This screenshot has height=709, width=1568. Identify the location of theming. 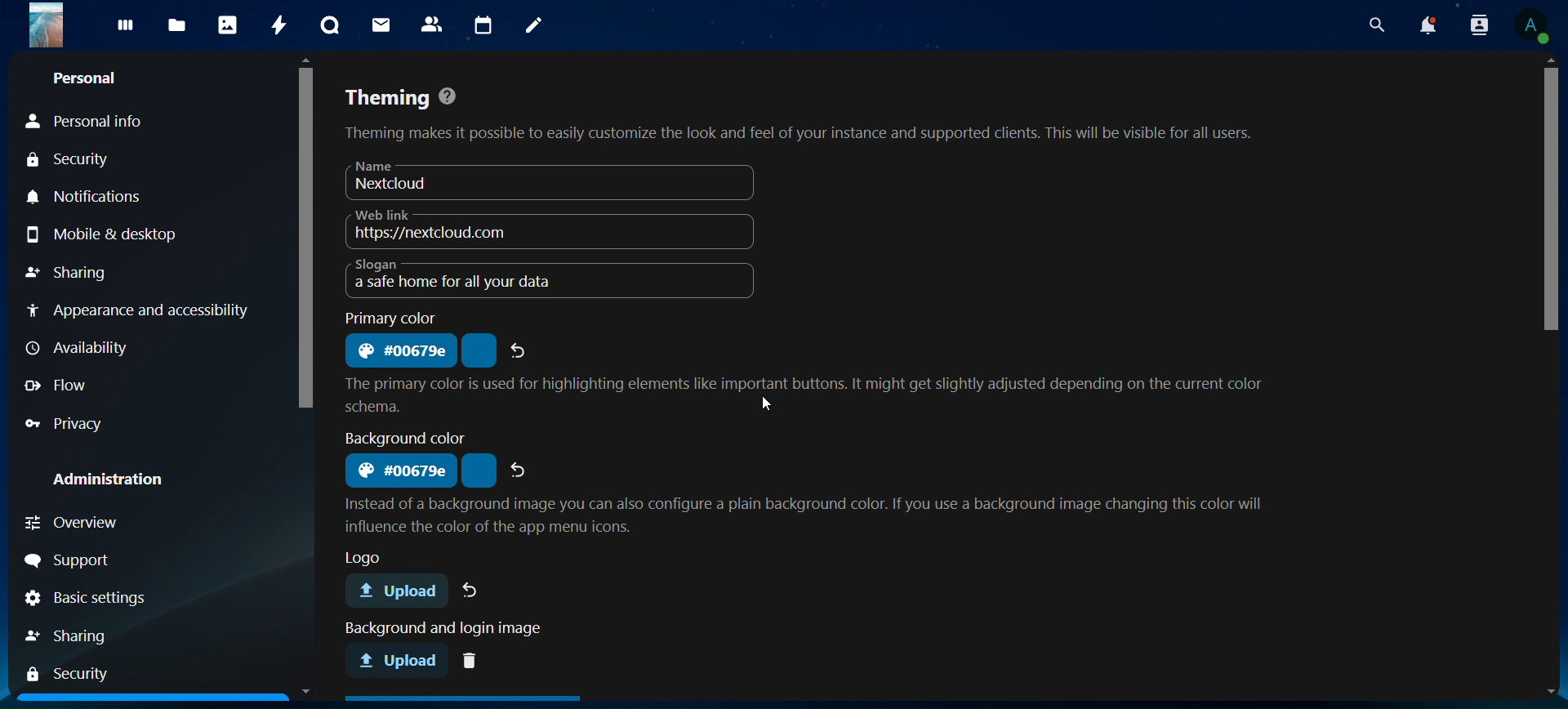
(798, 115).